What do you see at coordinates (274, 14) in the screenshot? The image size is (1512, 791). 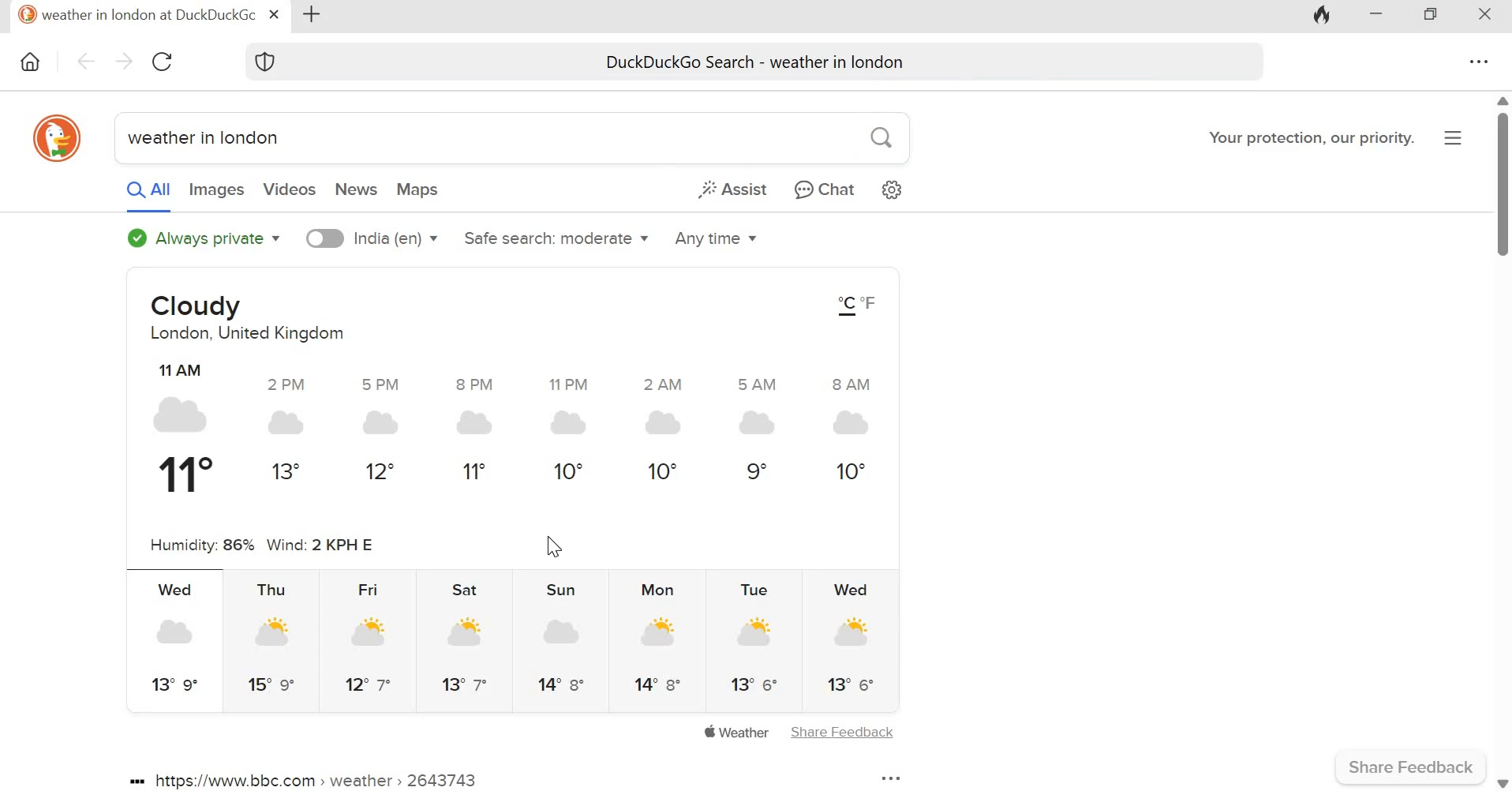 I see `Close tab` at bounding box center [274, 14].